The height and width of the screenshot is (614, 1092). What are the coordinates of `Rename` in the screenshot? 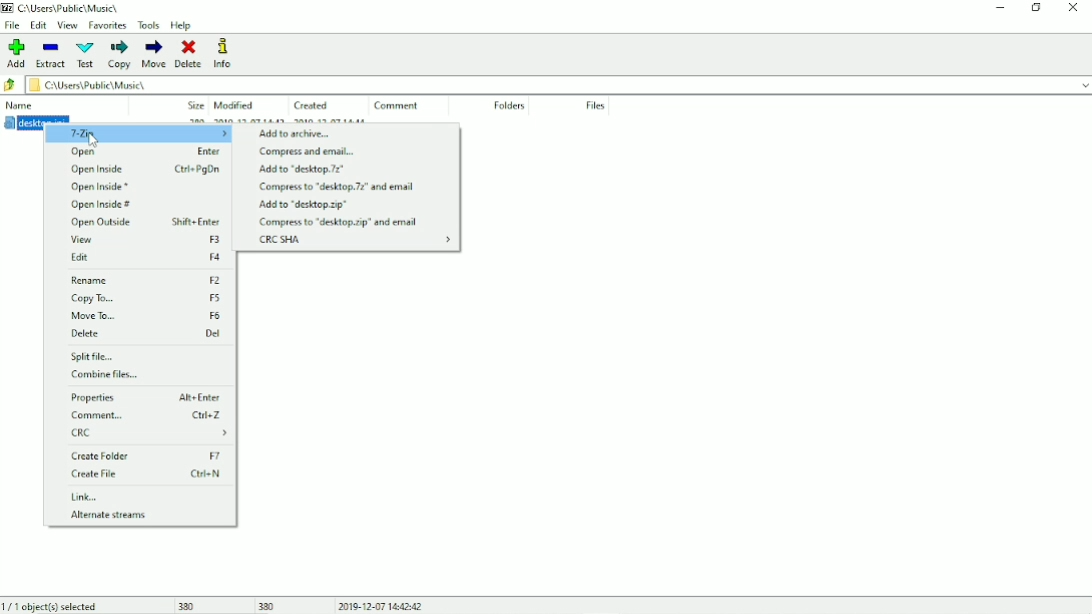 It's located at (145, 281).